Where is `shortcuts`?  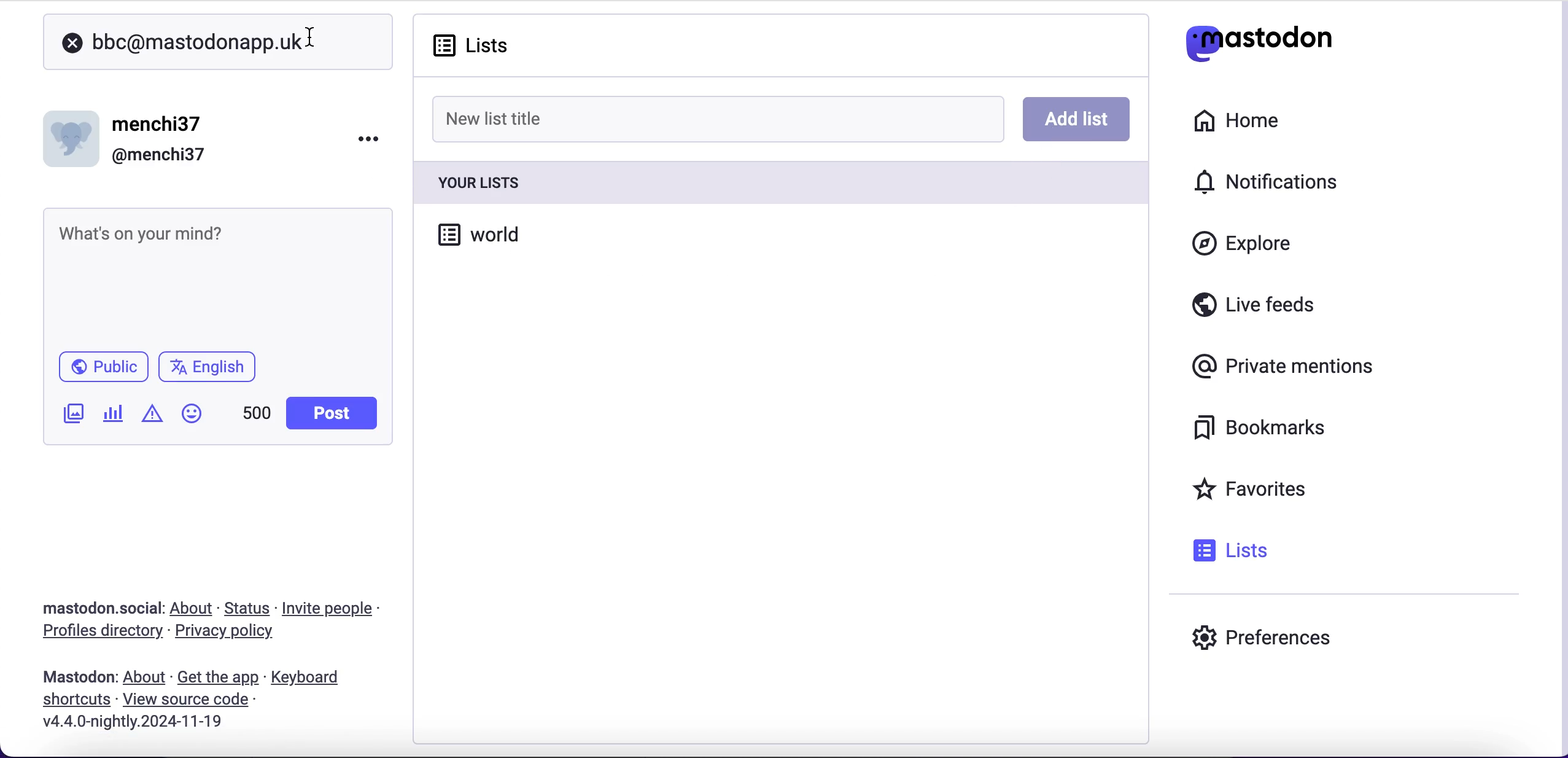
shortcuts is located at coordinates (72, 700).